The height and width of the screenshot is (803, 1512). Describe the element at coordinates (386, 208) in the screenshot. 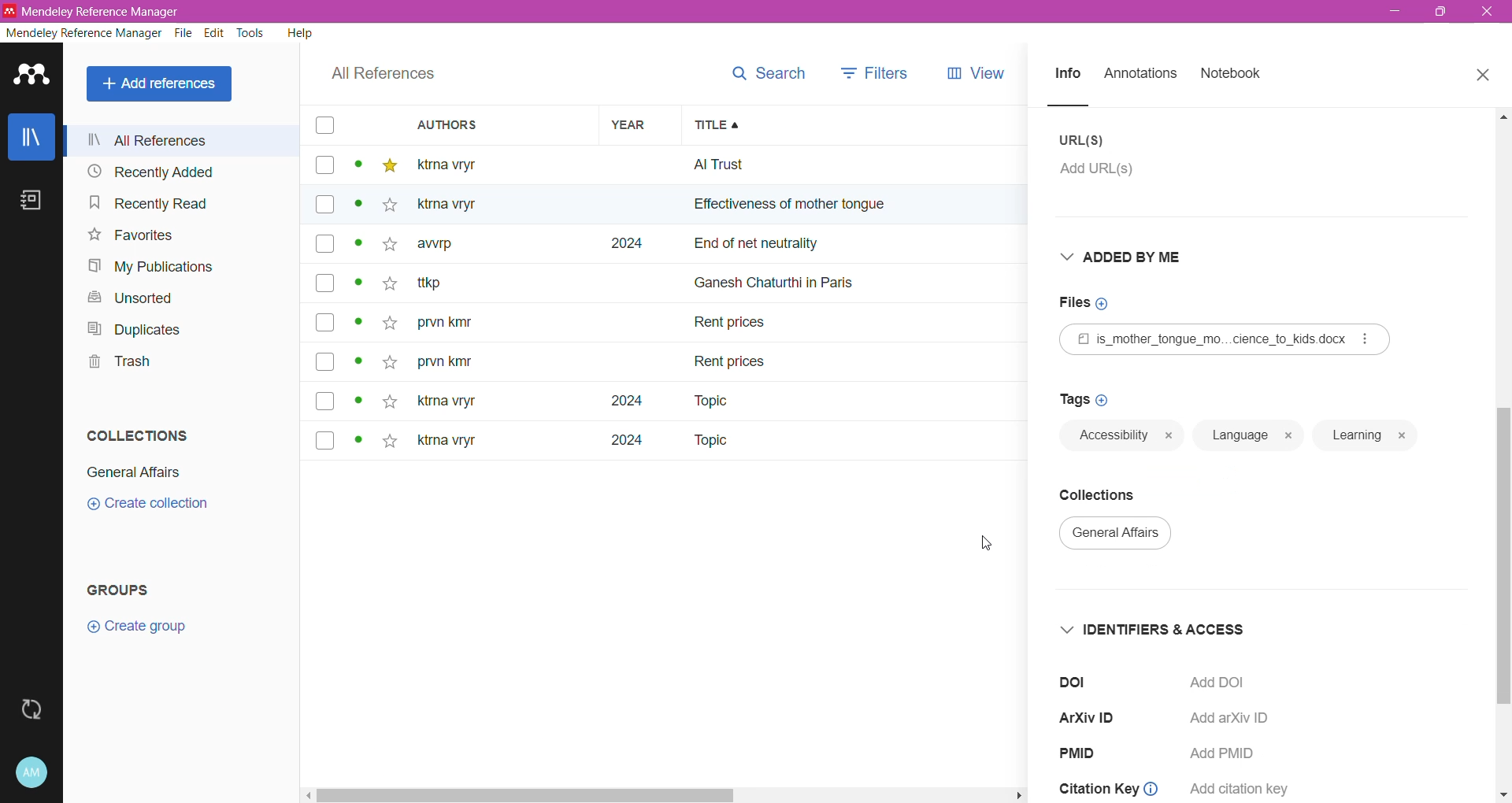

I see `star` at that location.